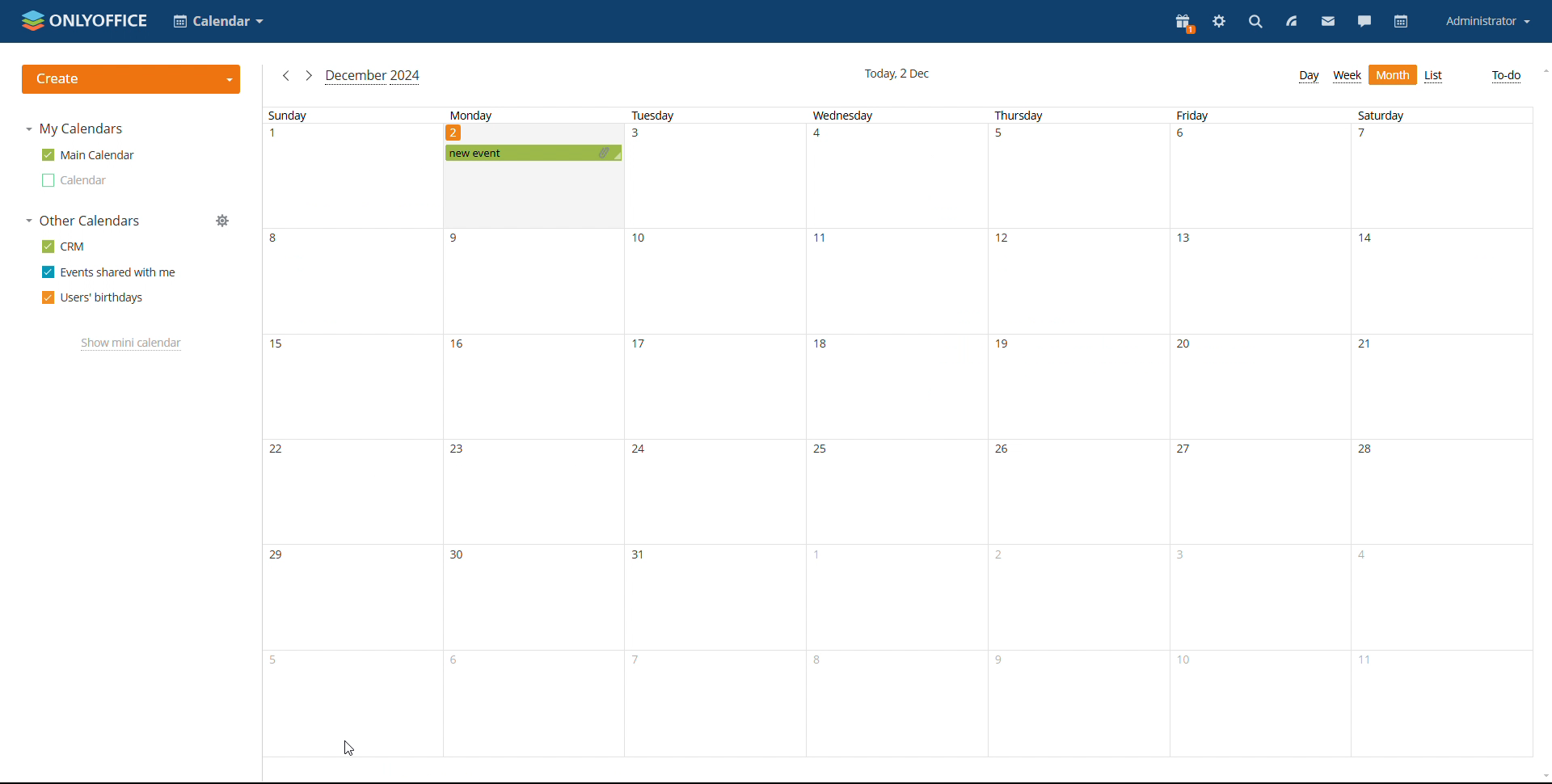  Describe the element at coordinates (1346, 76) in the screenshot. I see `week view` at that location.